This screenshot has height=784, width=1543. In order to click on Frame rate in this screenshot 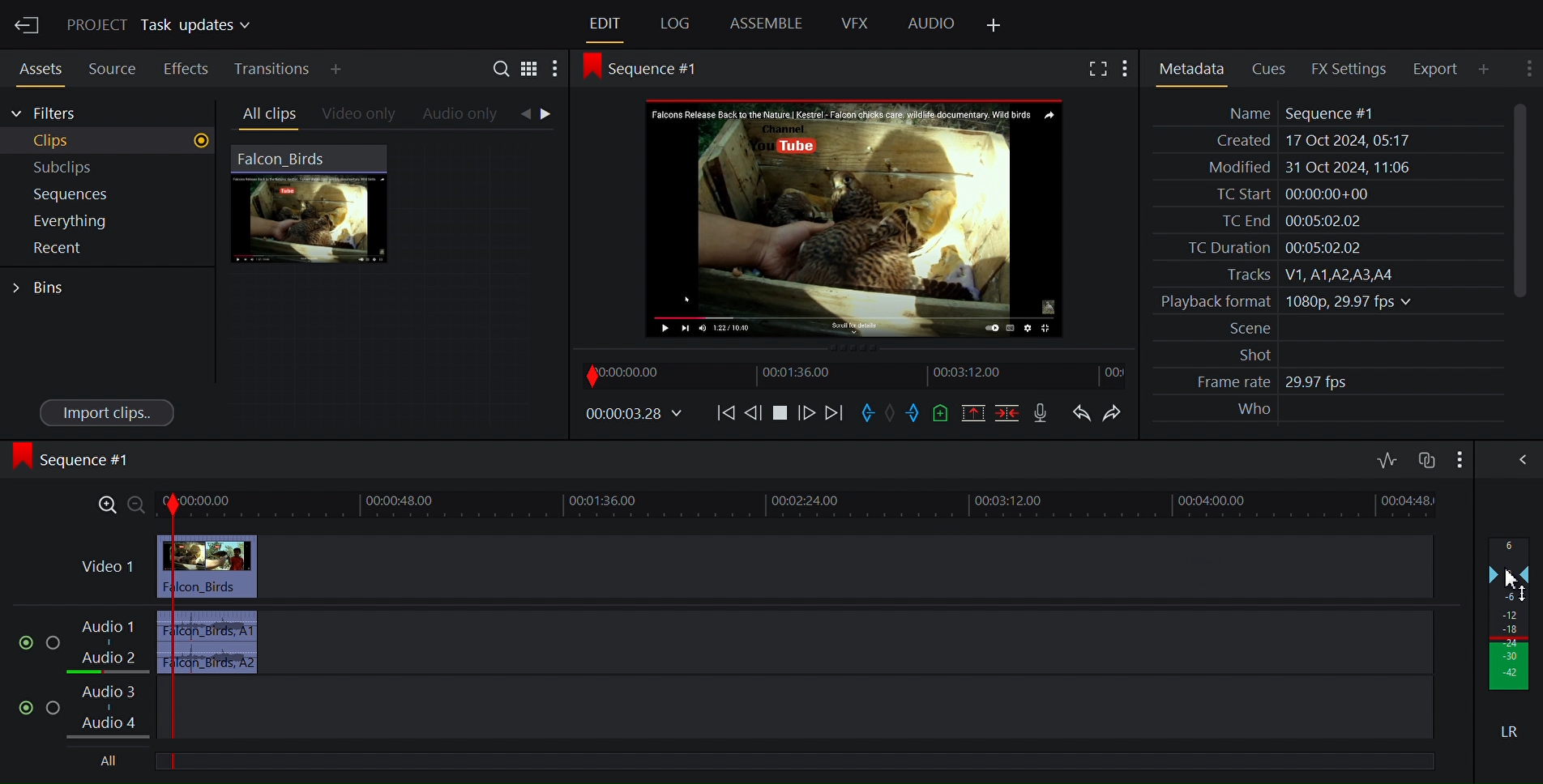, I will do `click(1225, 382)`.